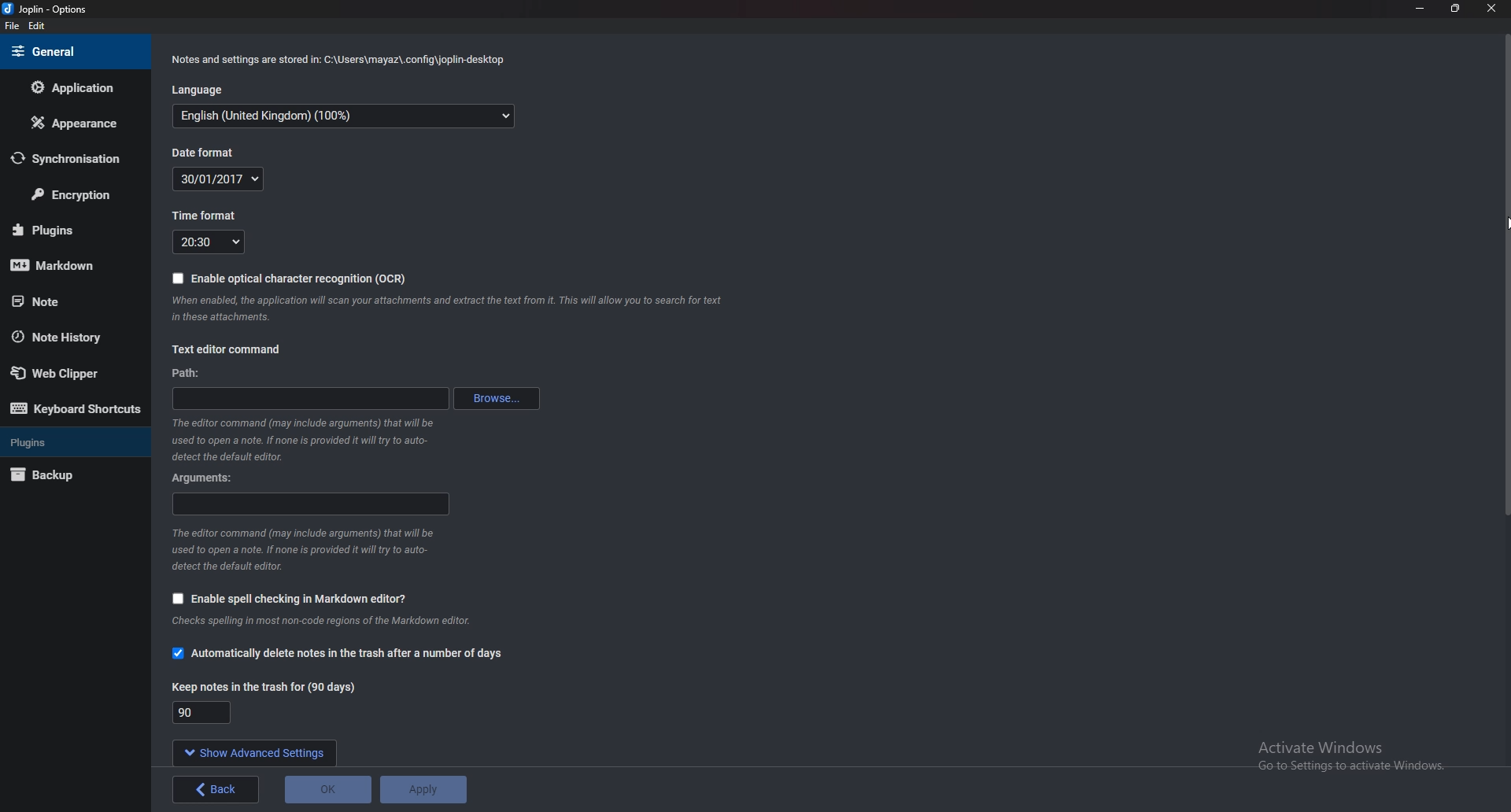 Image resolution: width=1511 pixels, height=812 pixels. Describe the element at coordinates (72, 123) in the screenshot. I see `Appearance` at that location.